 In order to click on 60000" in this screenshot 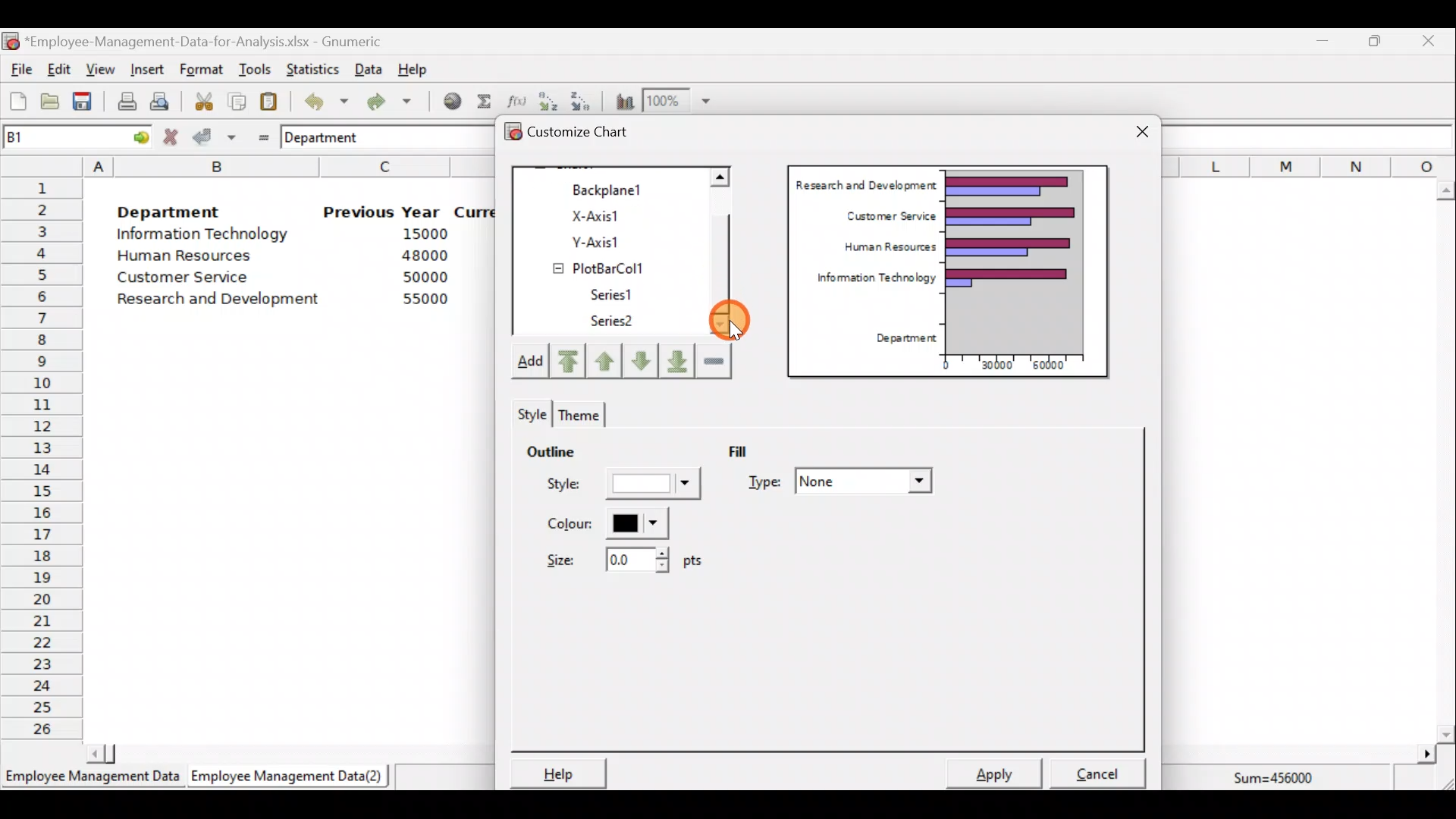, I will do `click(1057, 367)`.